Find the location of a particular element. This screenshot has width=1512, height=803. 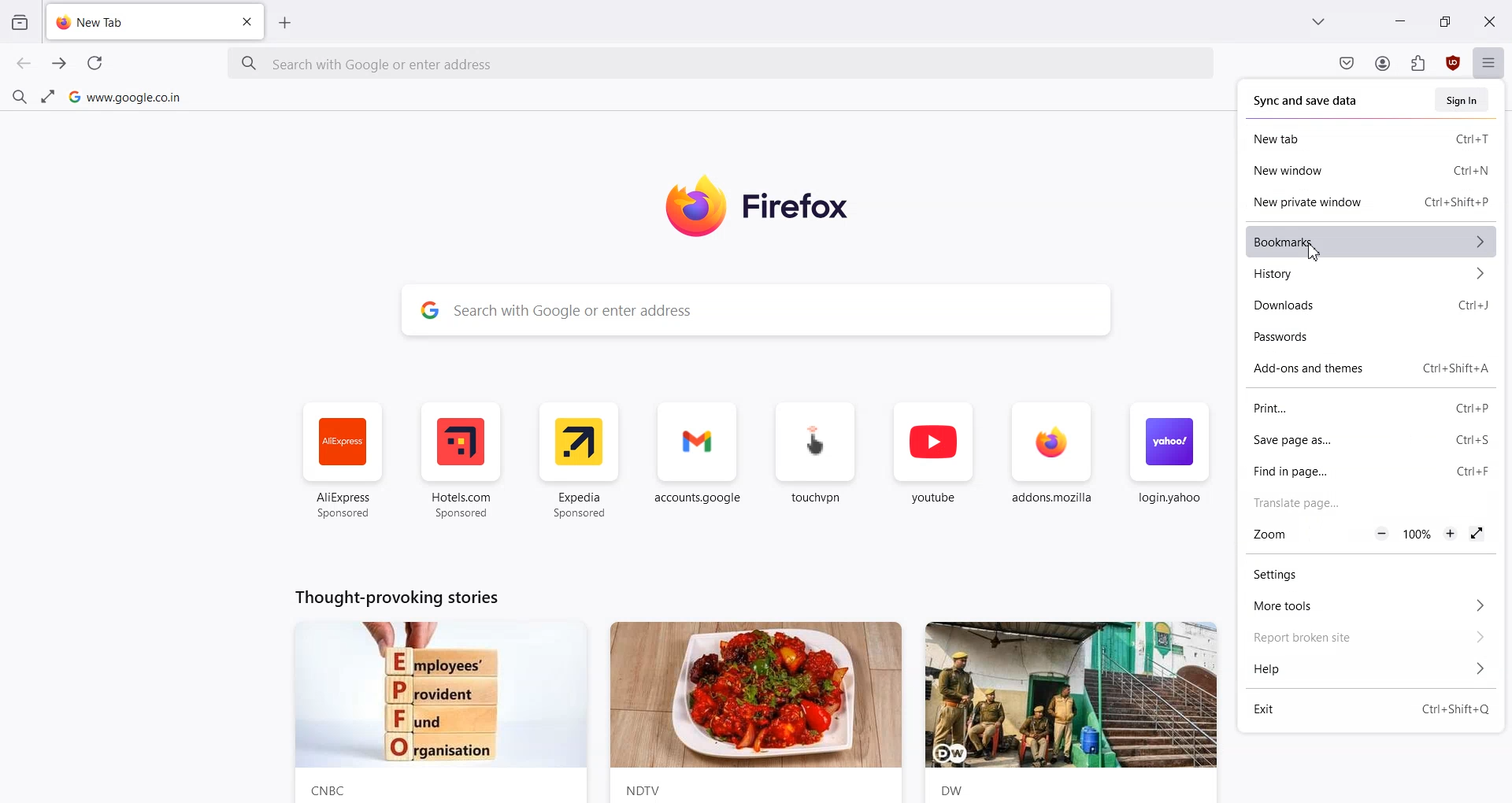

Save page as is located at coordinates (1338, 441).